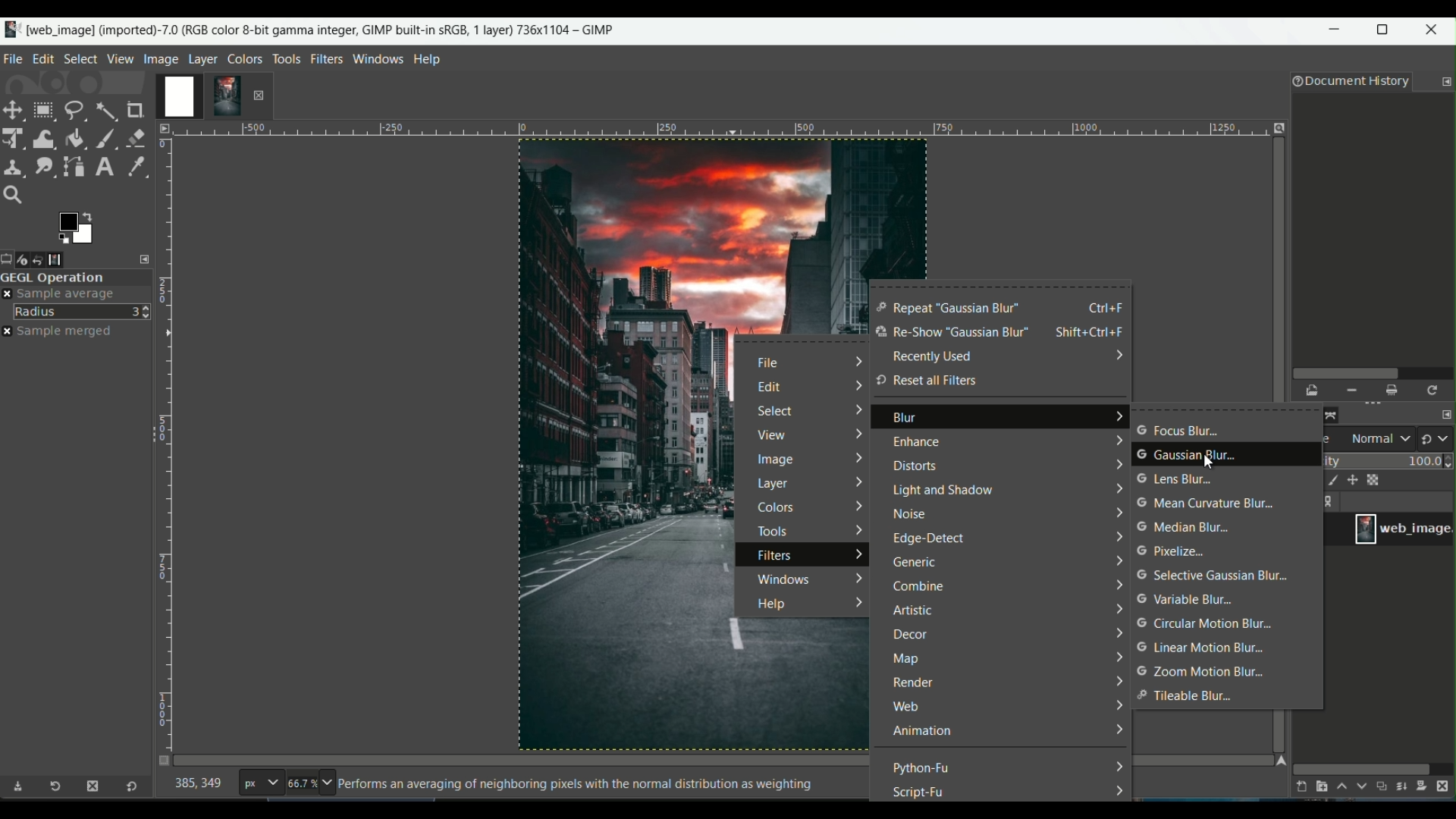  What do you see at coordinates (199, 786) in the screenshot?
I see `cursor position` at bounding box center [199, 786].